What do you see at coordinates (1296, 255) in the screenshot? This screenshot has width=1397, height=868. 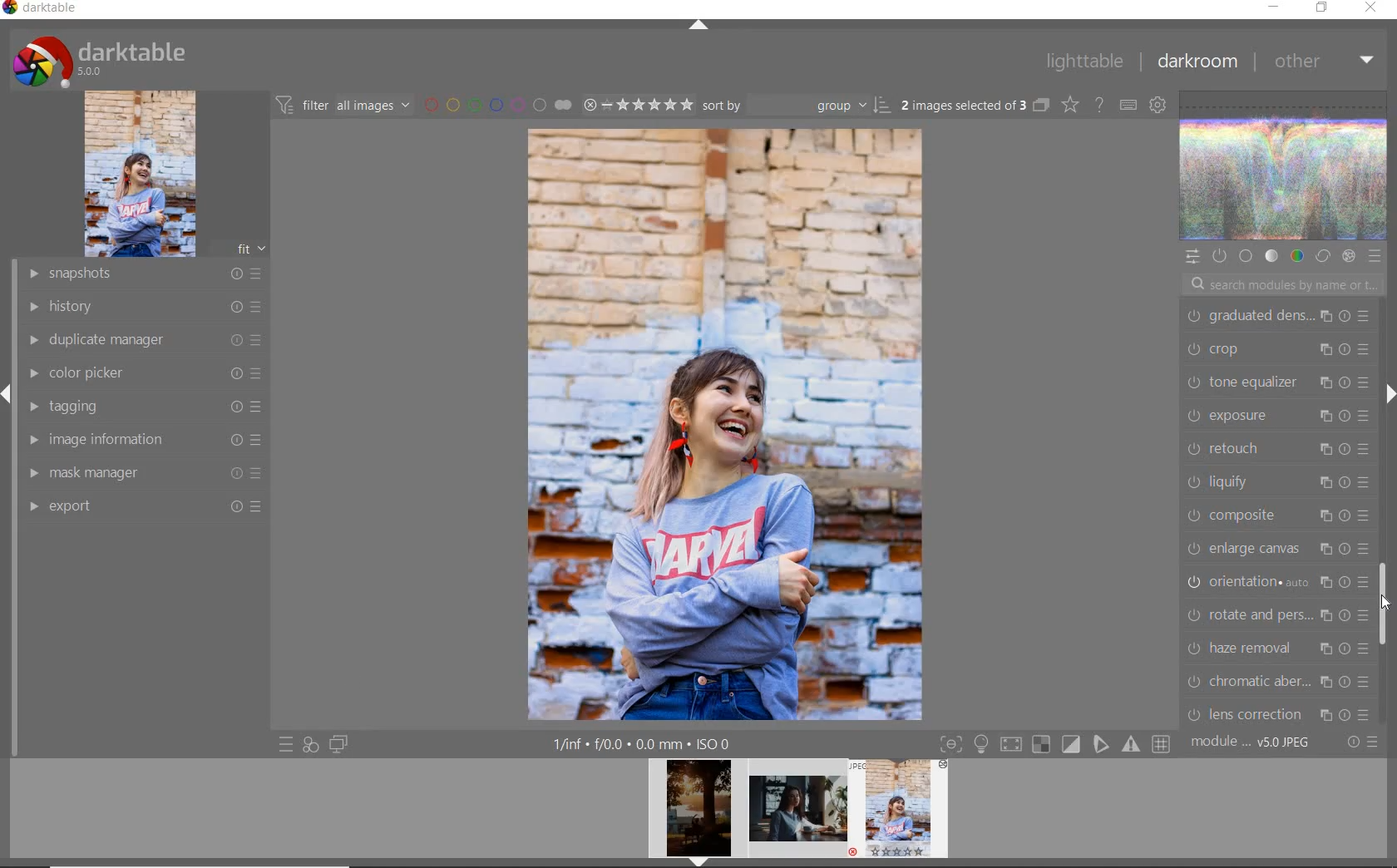 I see `color` at bounding box center [1296, 255].